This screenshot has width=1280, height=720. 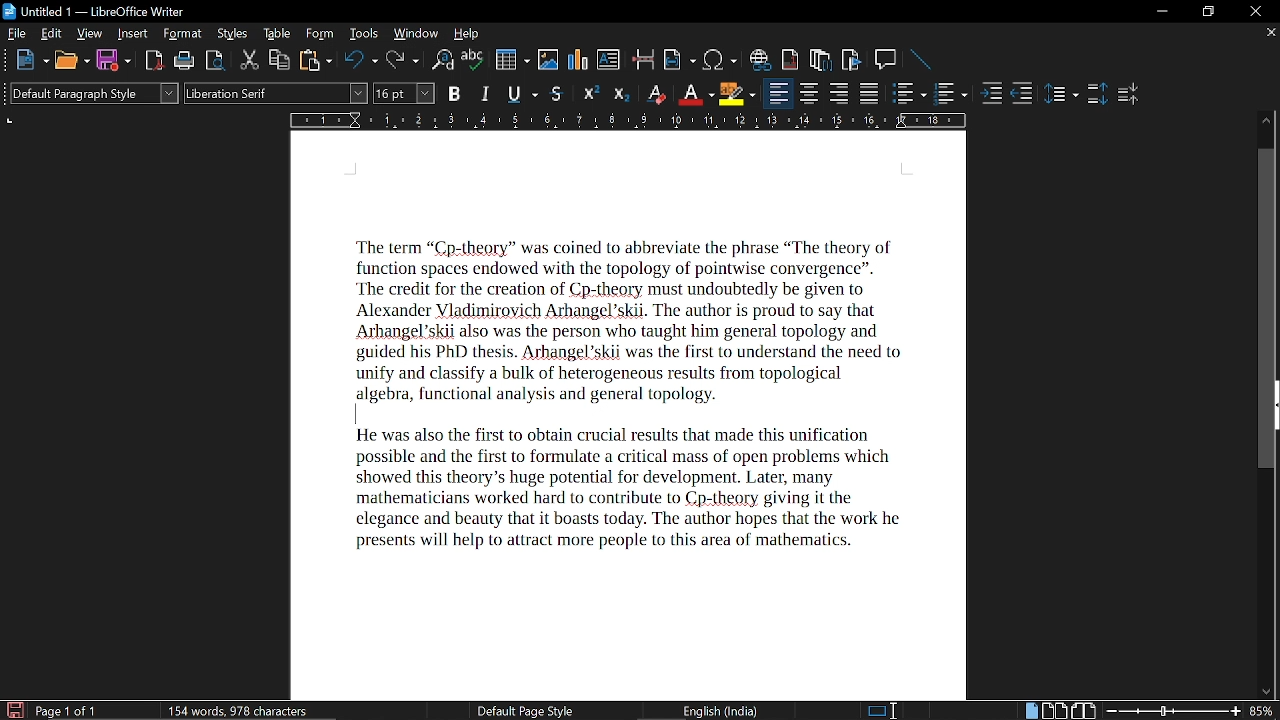 I want to click on Line, so click(x=921, y=59).